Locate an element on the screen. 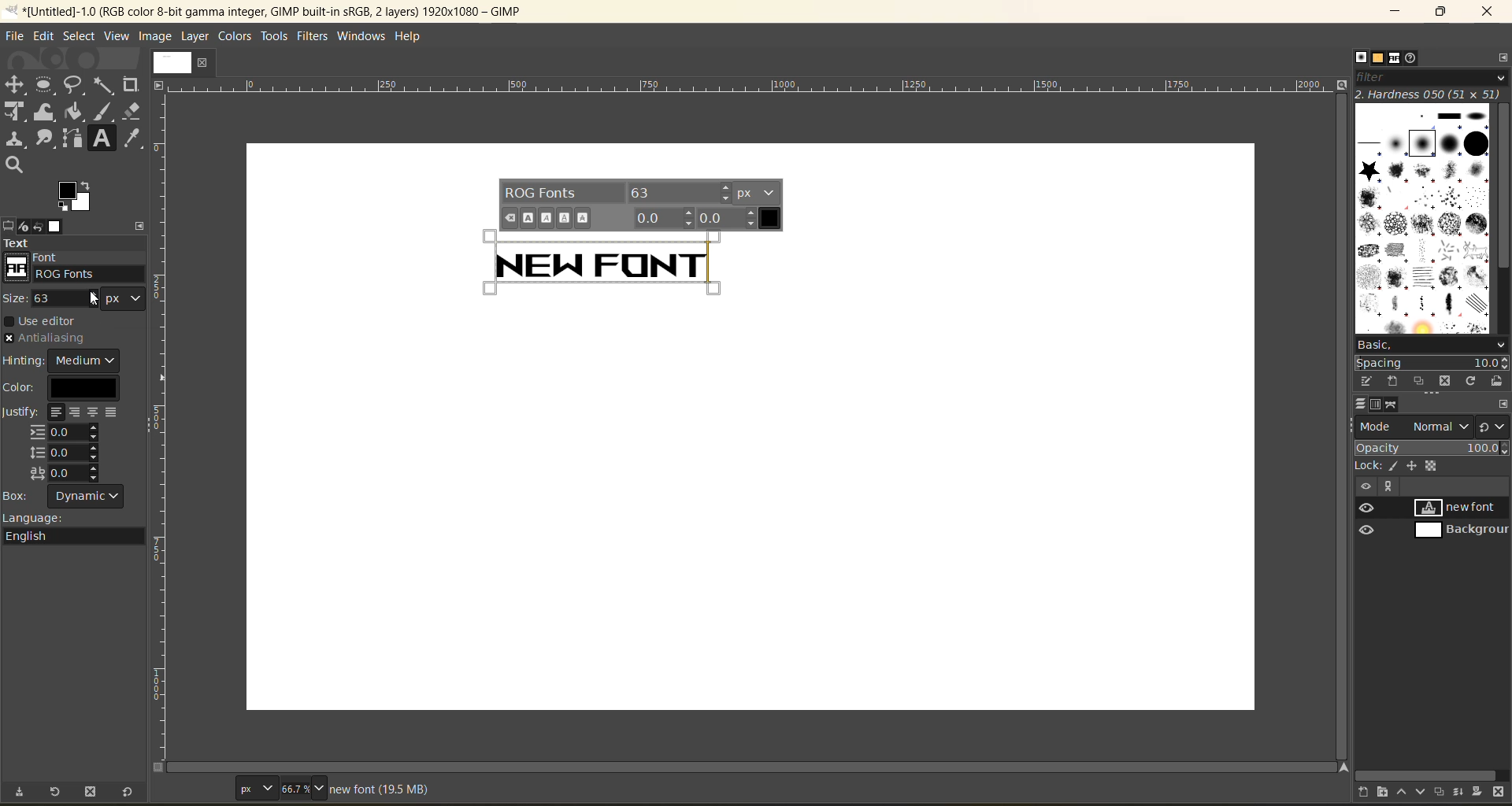  create a new layer is located at coordinates (1370, 793).